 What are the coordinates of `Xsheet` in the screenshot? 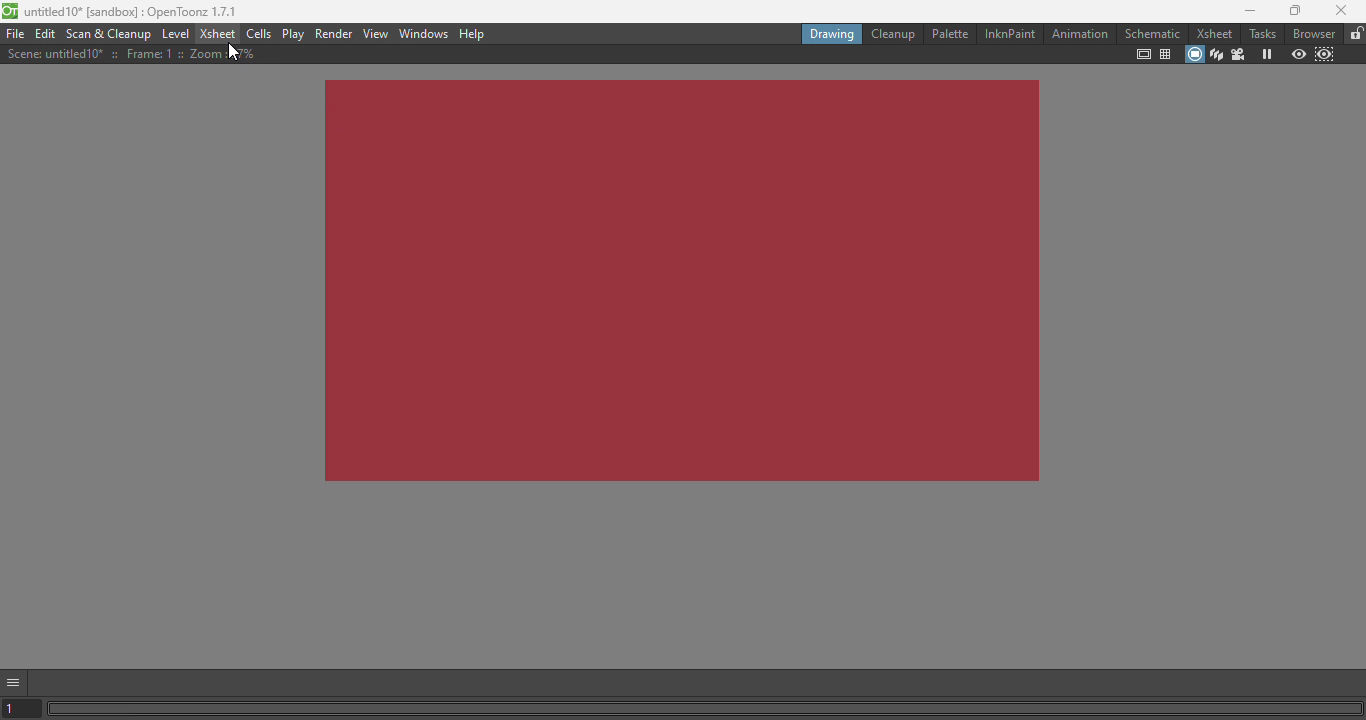 It's located at (219, 33).